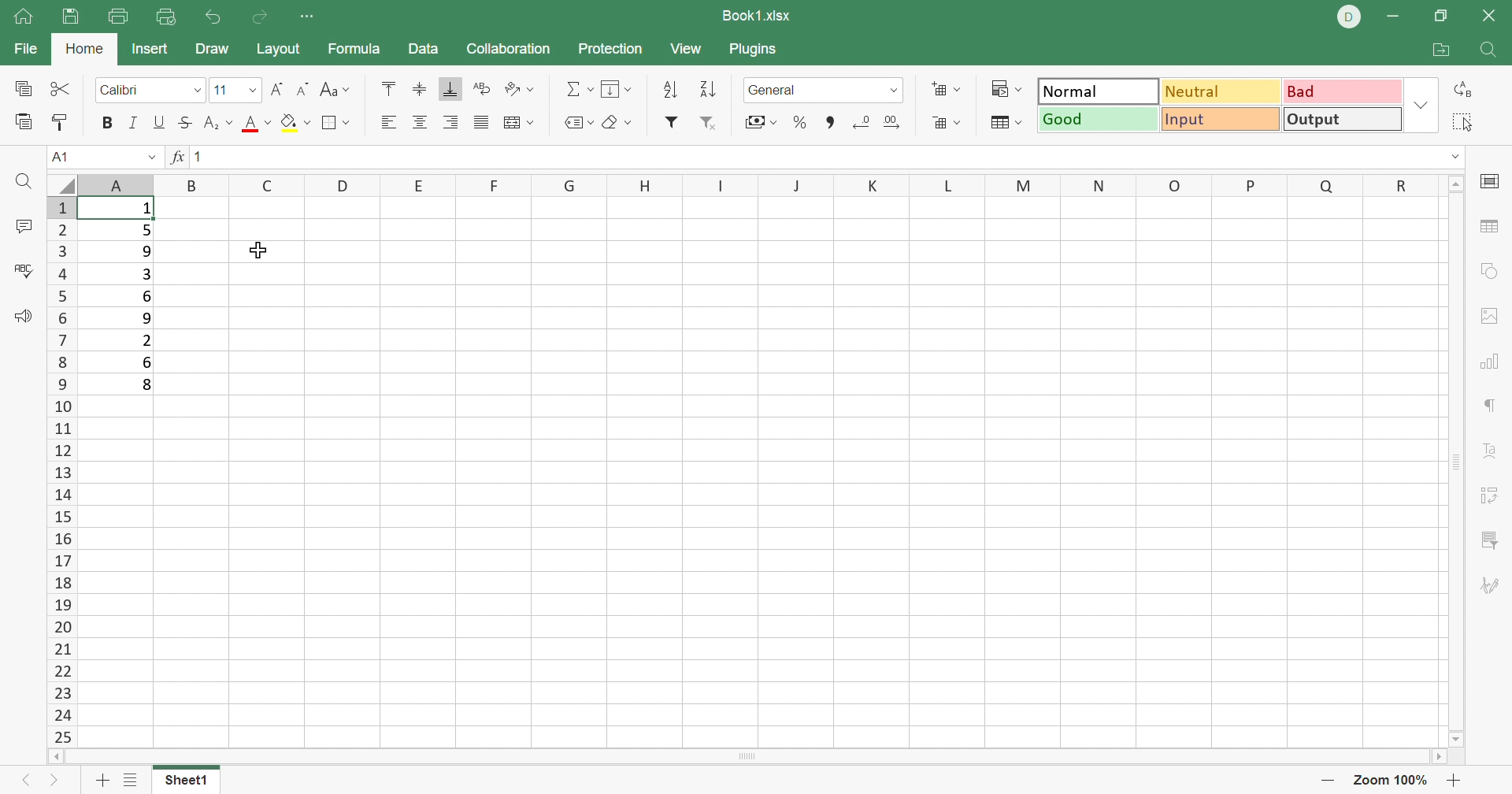 The width and height of the screenshot is (1512, 794). What do you see at coordinates (168, 15) in the screenshot?
I see `Quick print` at bounding box center [168, 15].